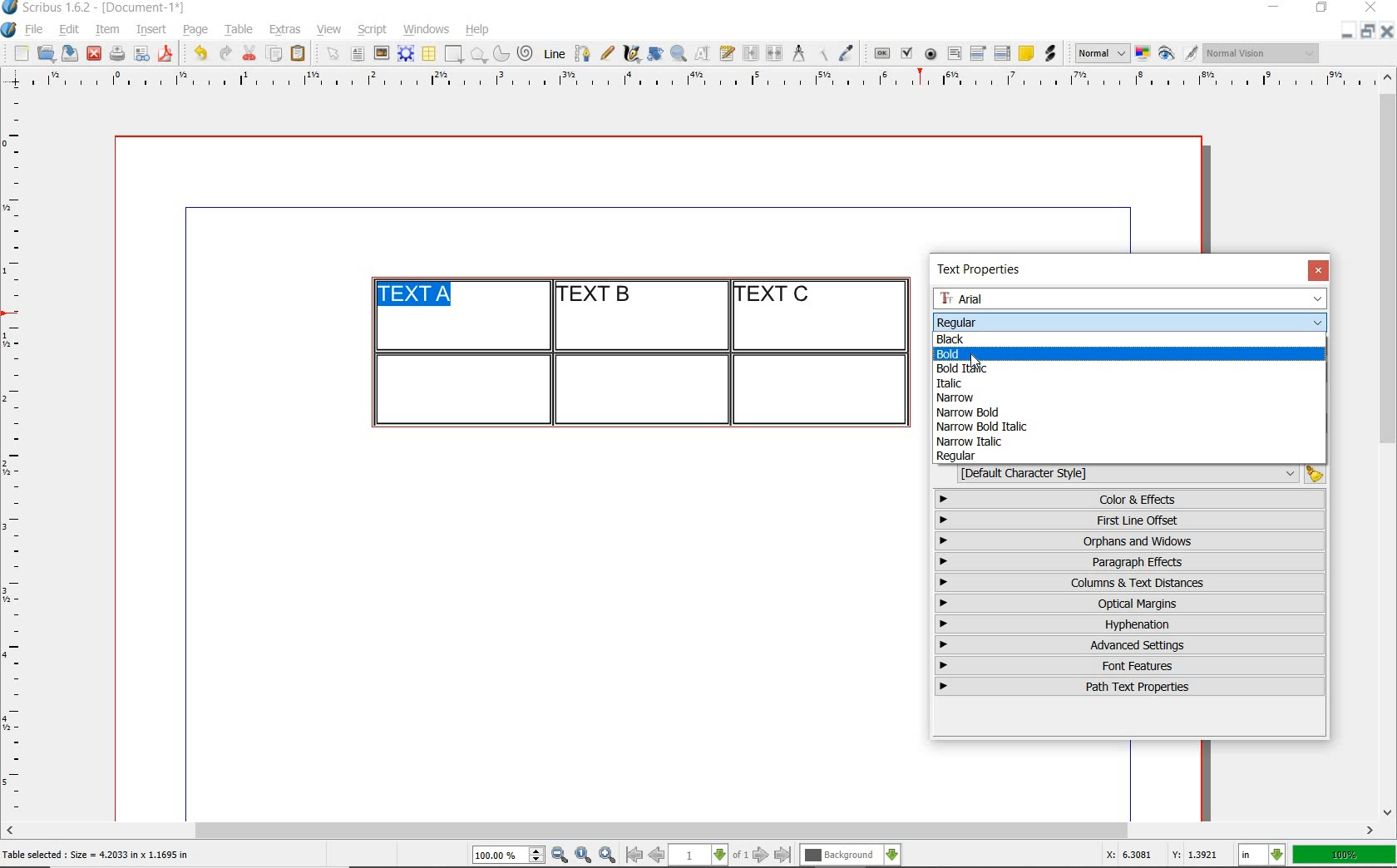  What do you see at coordinates (882, 54) in the screenshot?
I see `pdf push button` at bounding box center [882, 54].